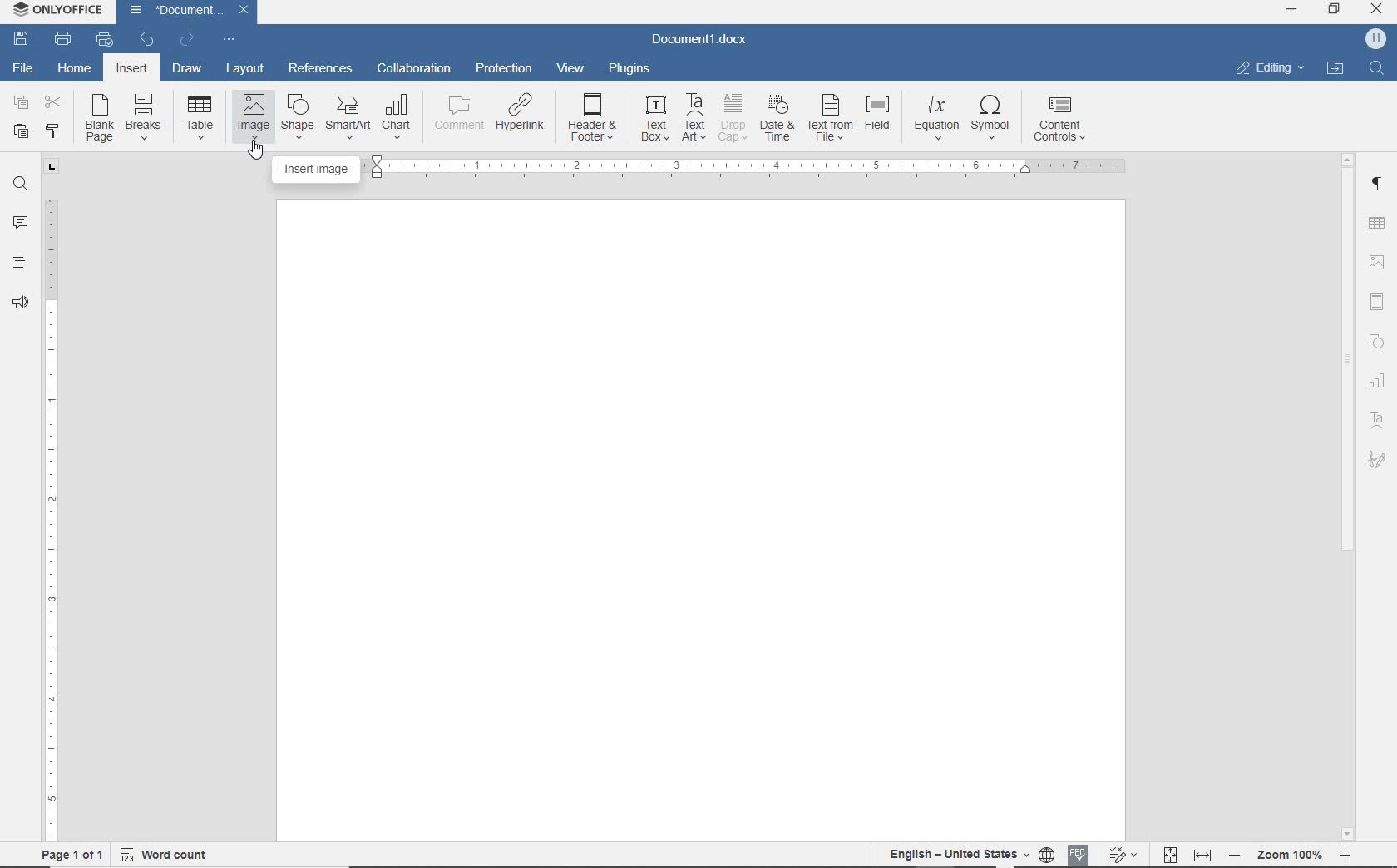  What do you see at coordinates (398, 117) in the screenshot?
I see `chart` at bounding box center [398, 117].